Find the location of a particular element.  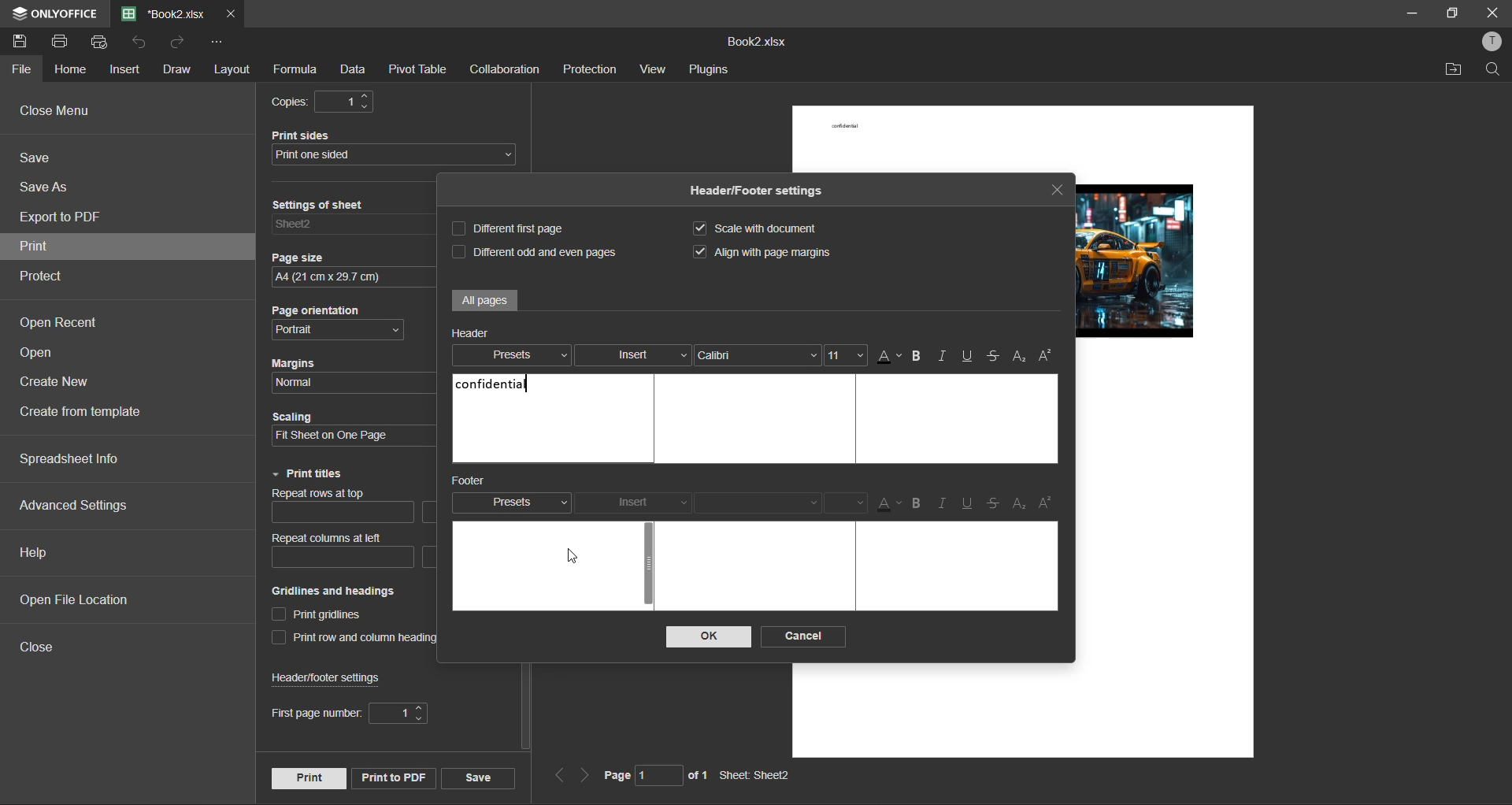

collaboration is located at coordinates (508, 70).